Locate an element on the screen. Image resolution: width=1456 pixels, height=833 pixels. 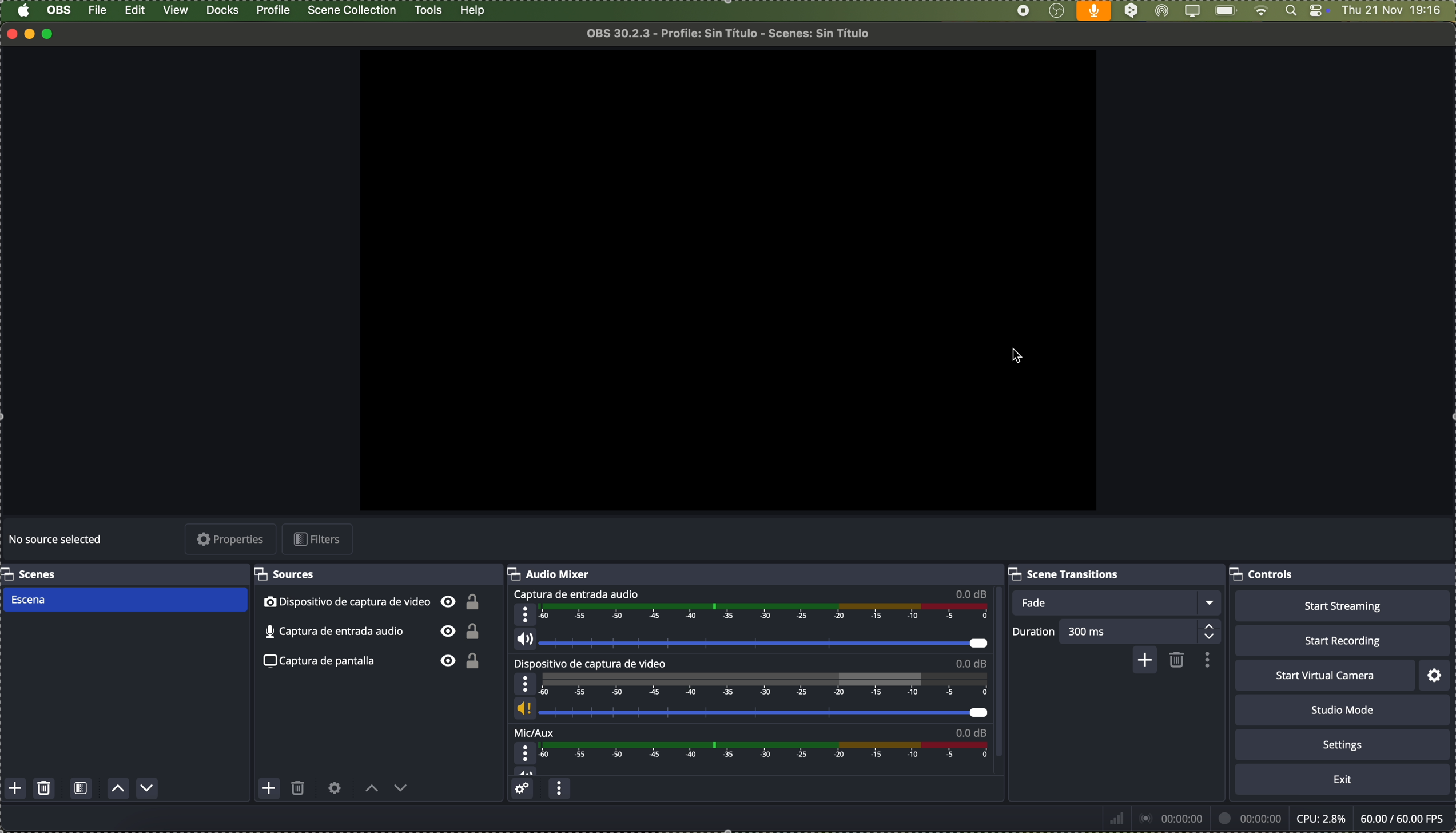
audio mixer is located at coordinates (550, 573).